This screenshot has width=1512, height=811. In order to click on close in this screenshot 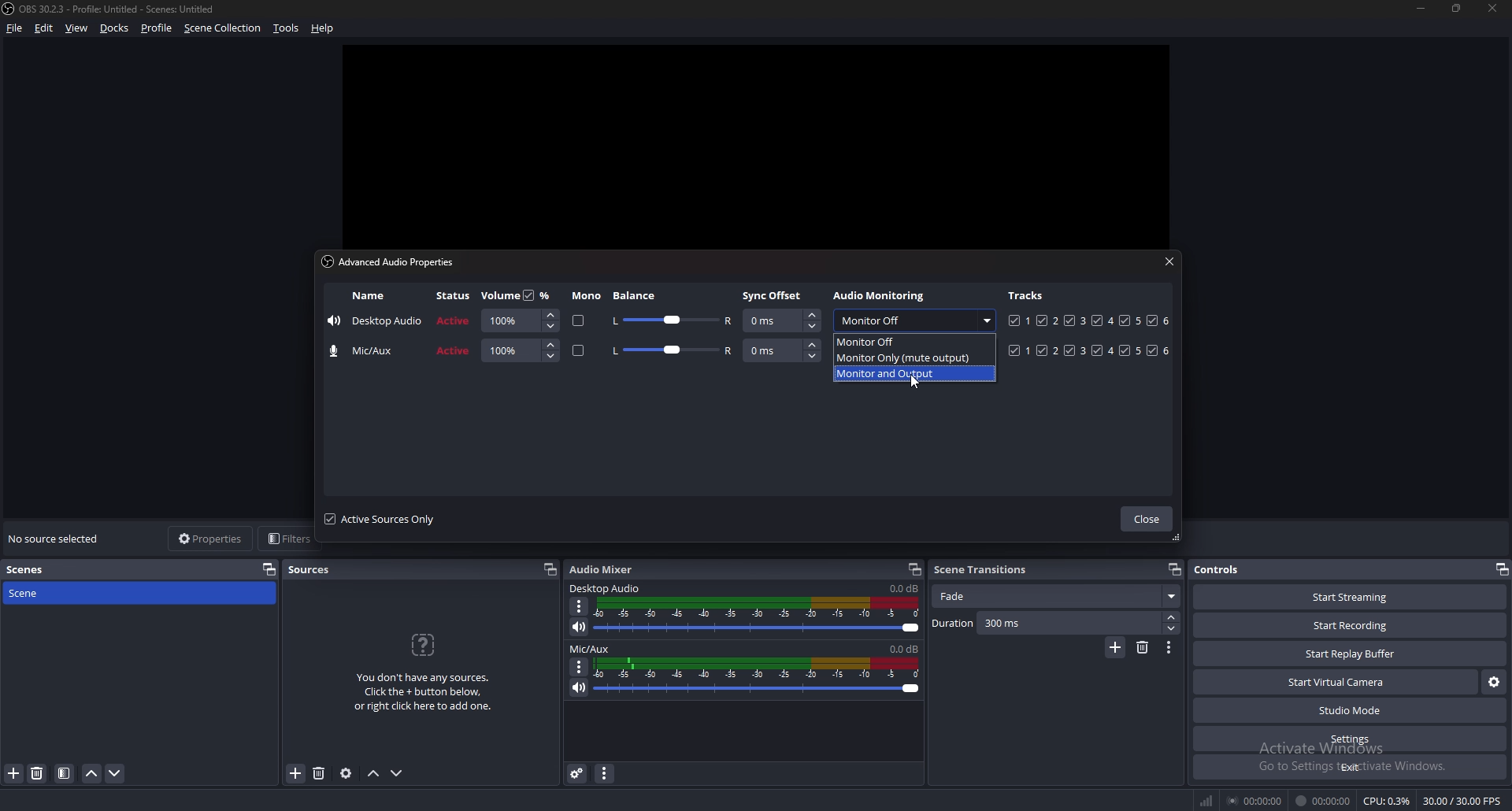, I will do `click(1147, 519)`.